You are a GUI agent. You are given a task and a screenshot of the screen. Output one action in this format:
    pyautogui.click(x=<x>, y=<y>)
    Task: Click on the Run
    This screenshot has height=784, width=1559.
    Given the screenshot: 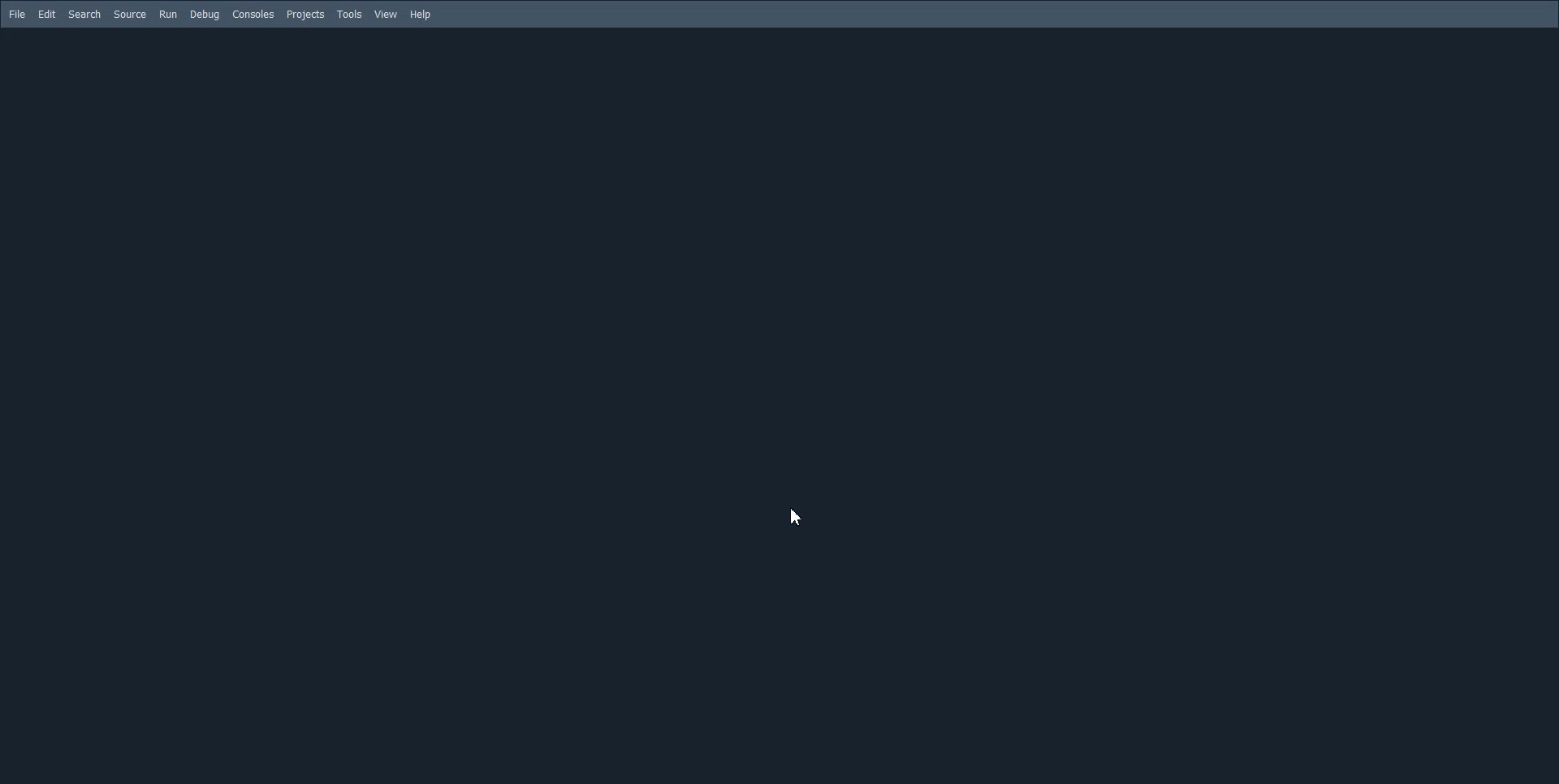 What is the action you would take?
    pyautogui.click(x=167, y=14)
    